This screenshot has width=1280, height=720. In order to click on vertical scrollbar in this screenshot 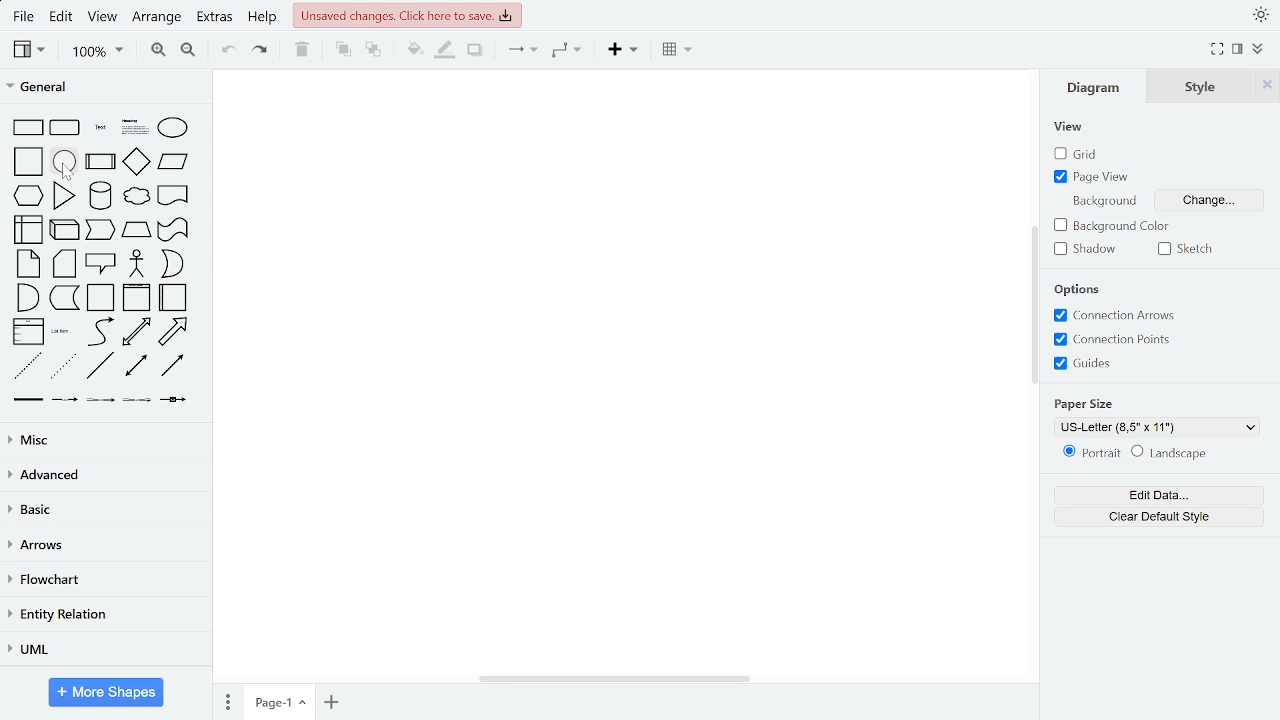, I will do `click(1034, 304)`.